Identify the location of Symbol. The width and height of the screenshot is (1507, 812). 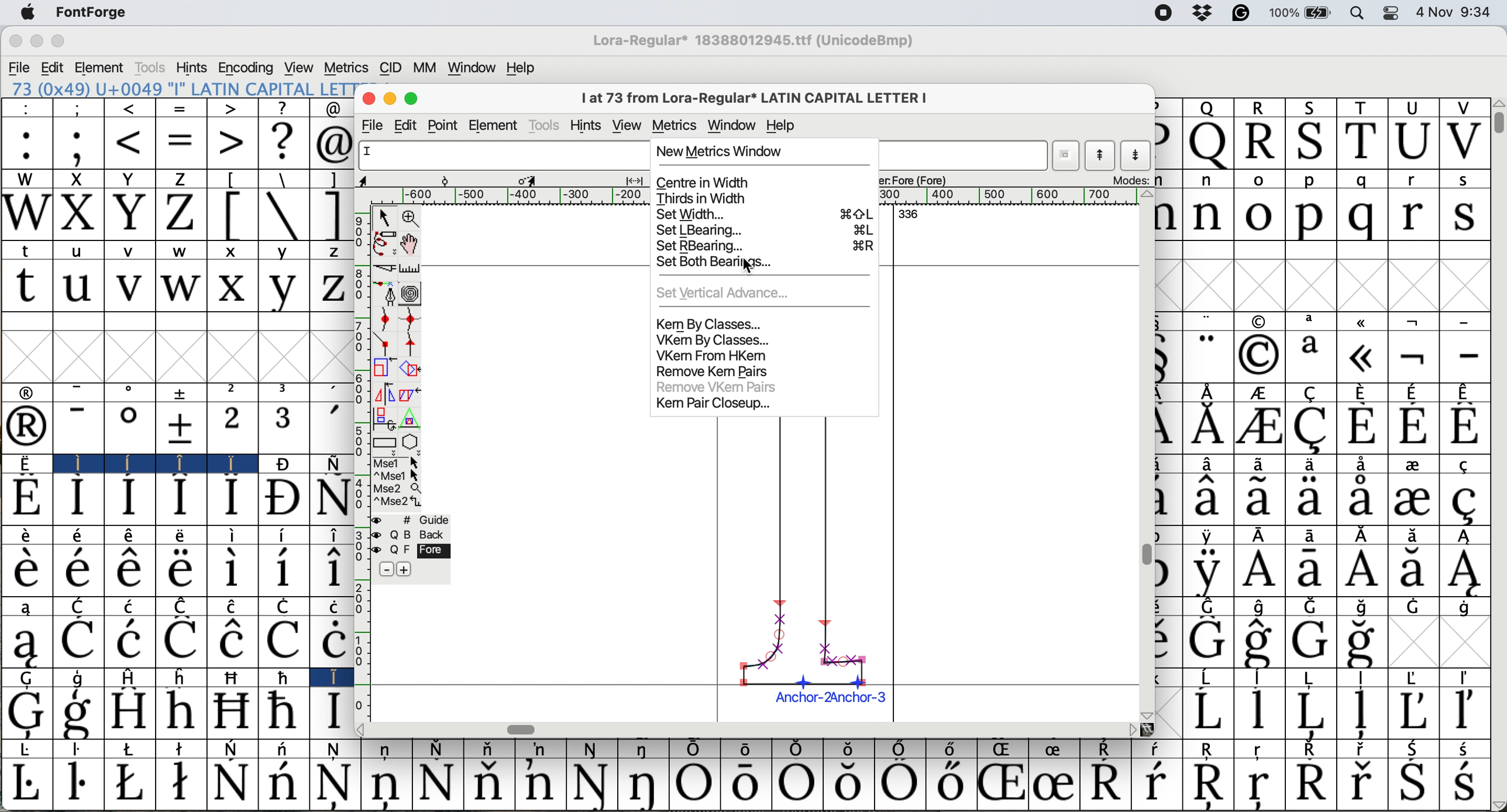
(1363, 464).